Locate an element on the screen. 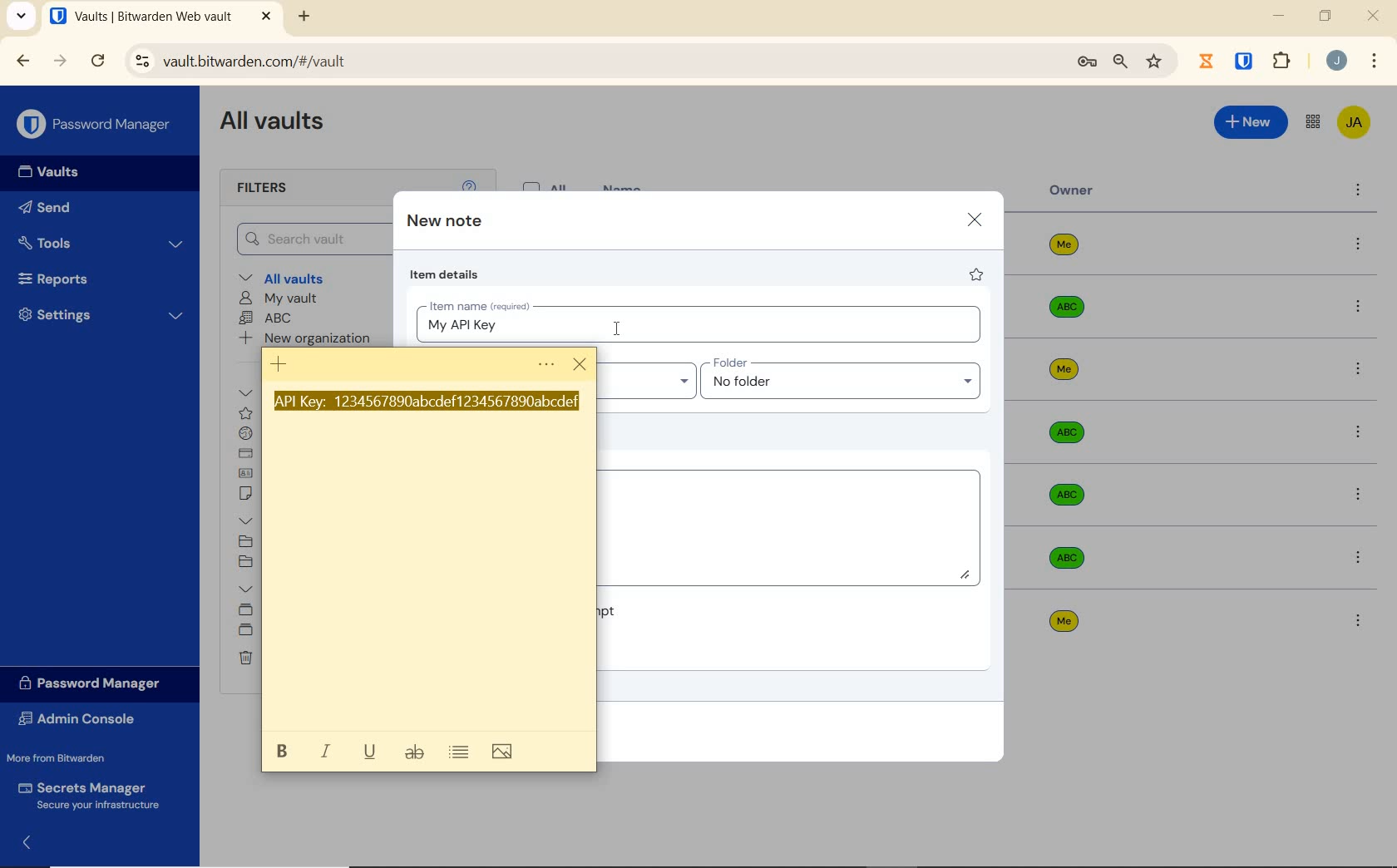 Image resolution: width=1397 pixels, height=868 pixels. Search Vault is located at coordinates (311, 238).